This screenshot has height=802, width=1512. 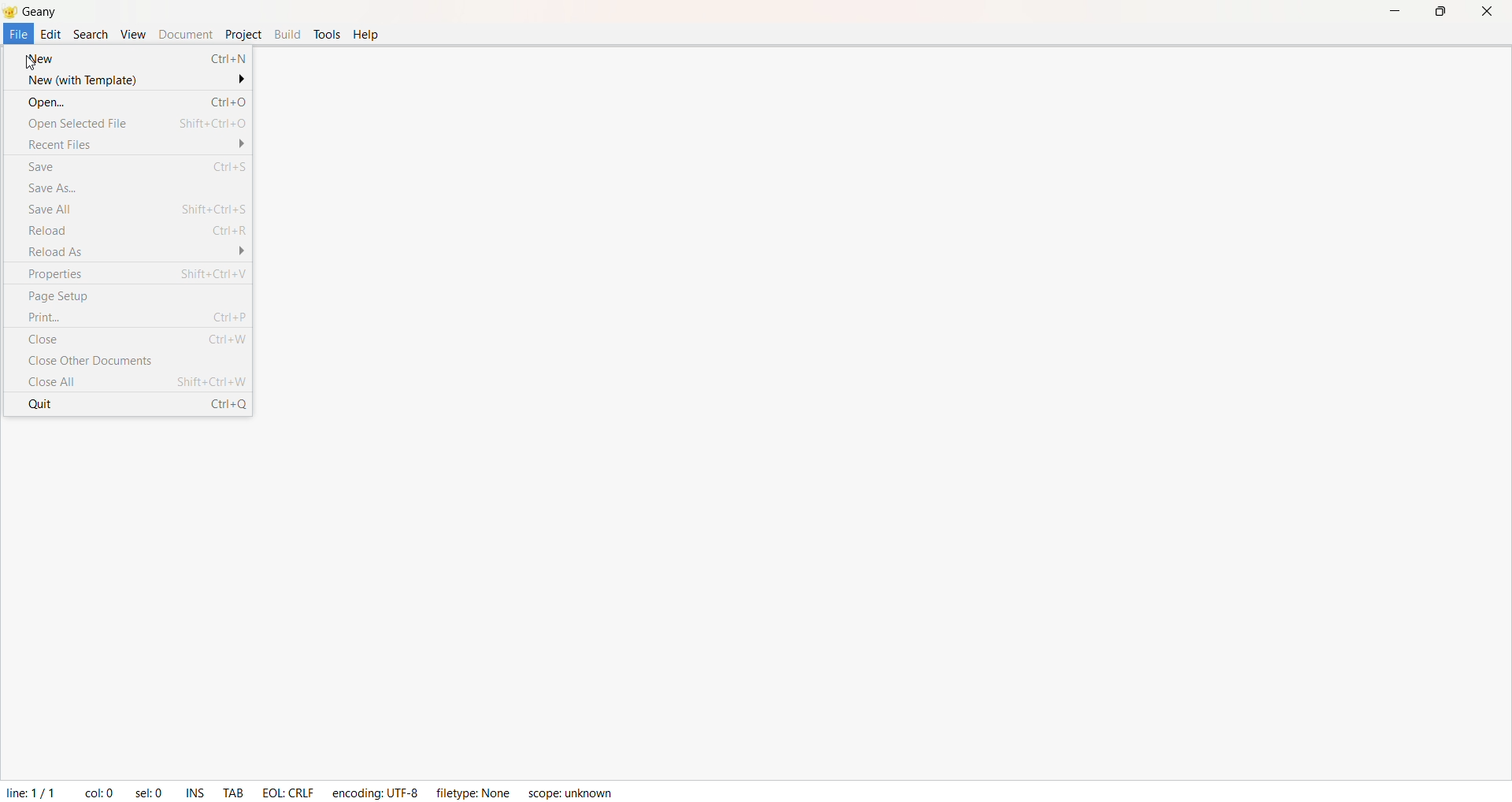 What do you see at coordinates (135, 210) in the screenshot?
I see `Save All` at bounding box center [135, 210].